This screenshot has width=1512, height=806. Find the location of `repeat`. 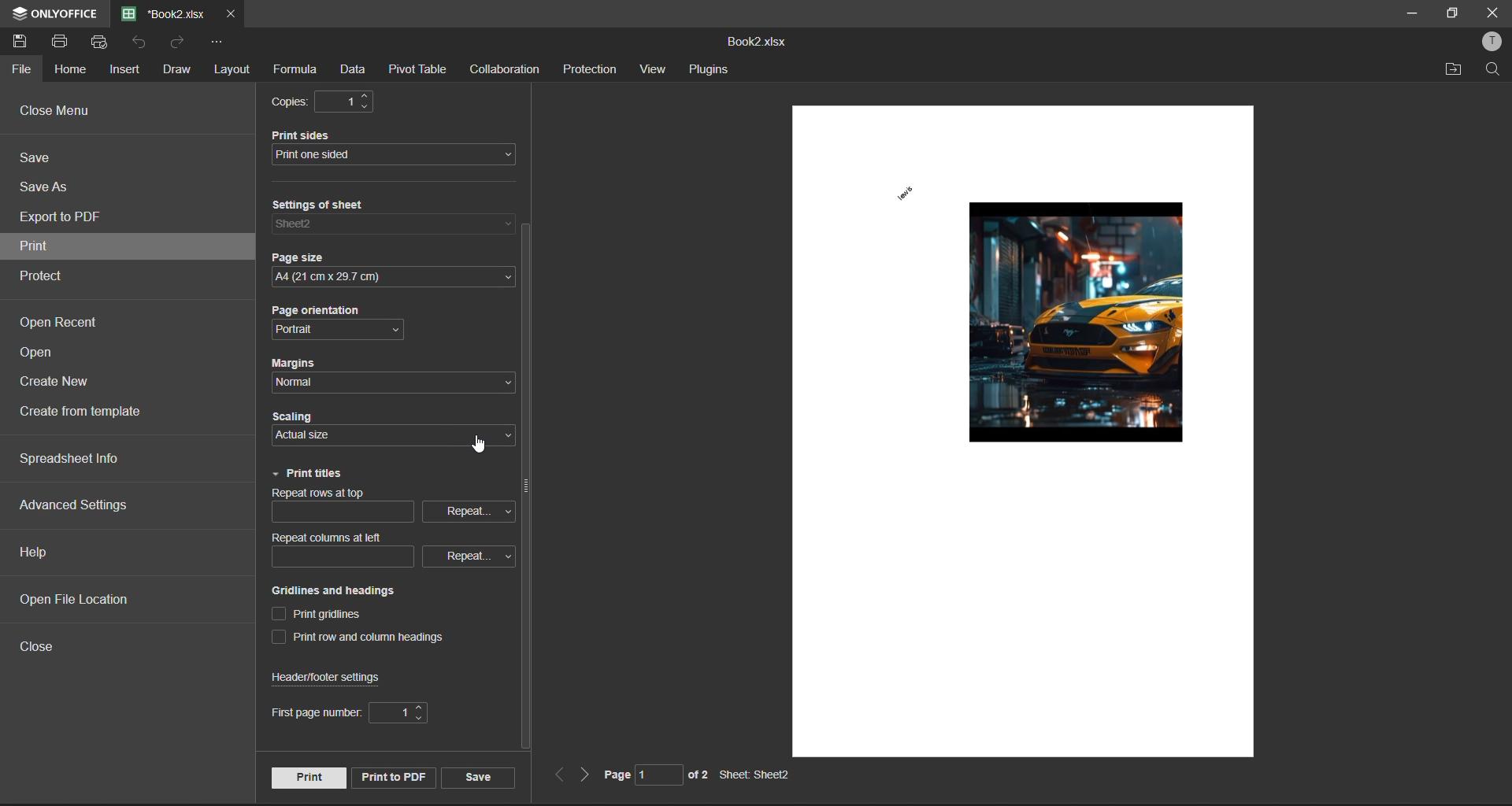

repeat is located at coordinates (467, 510).